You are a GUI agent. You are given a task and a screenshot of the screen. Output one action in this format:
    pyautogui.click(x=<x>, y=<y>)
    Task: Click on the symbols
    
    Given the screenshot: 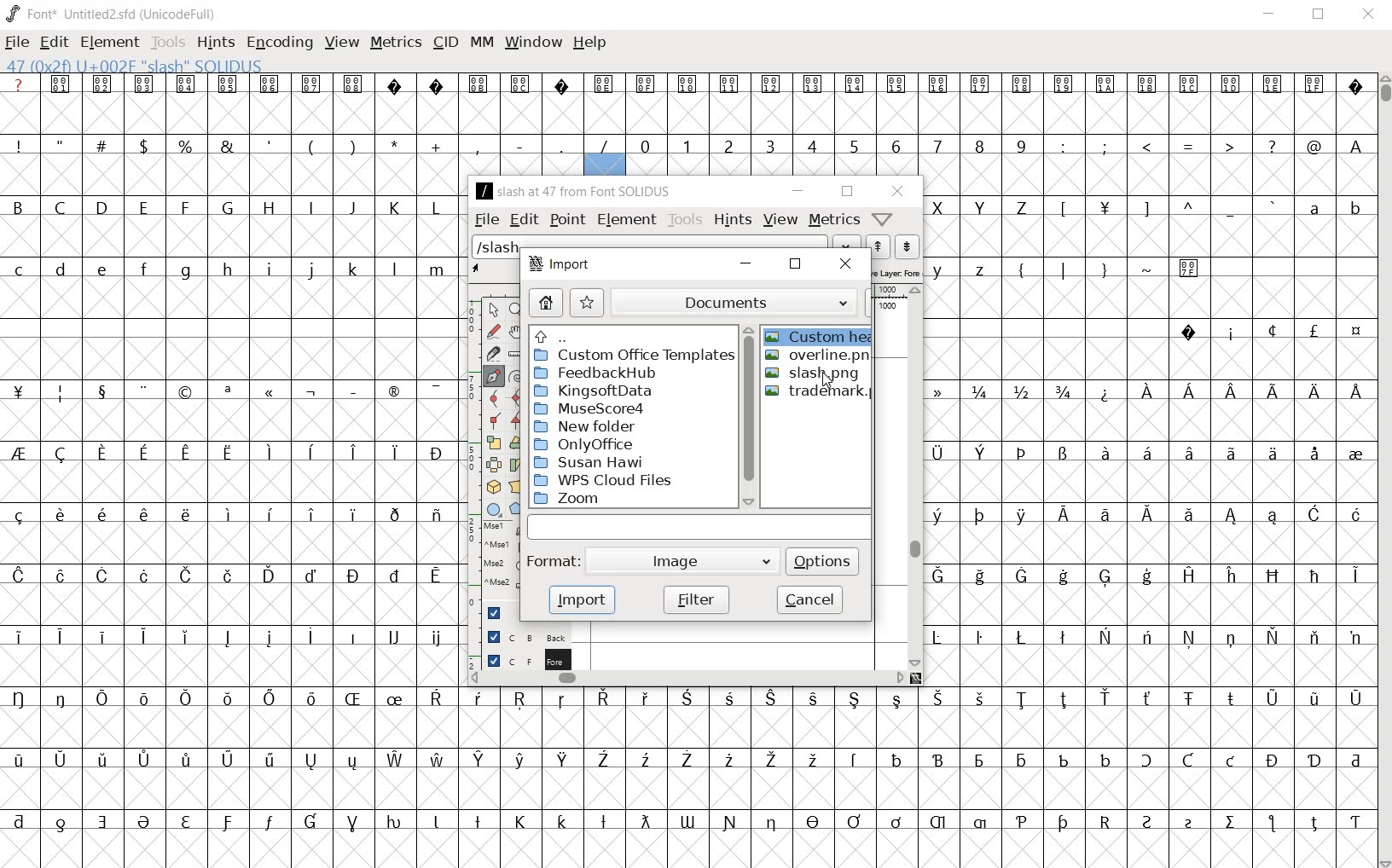 What is the action you would take?
    pyautogui.click(x=238, y=391)
    